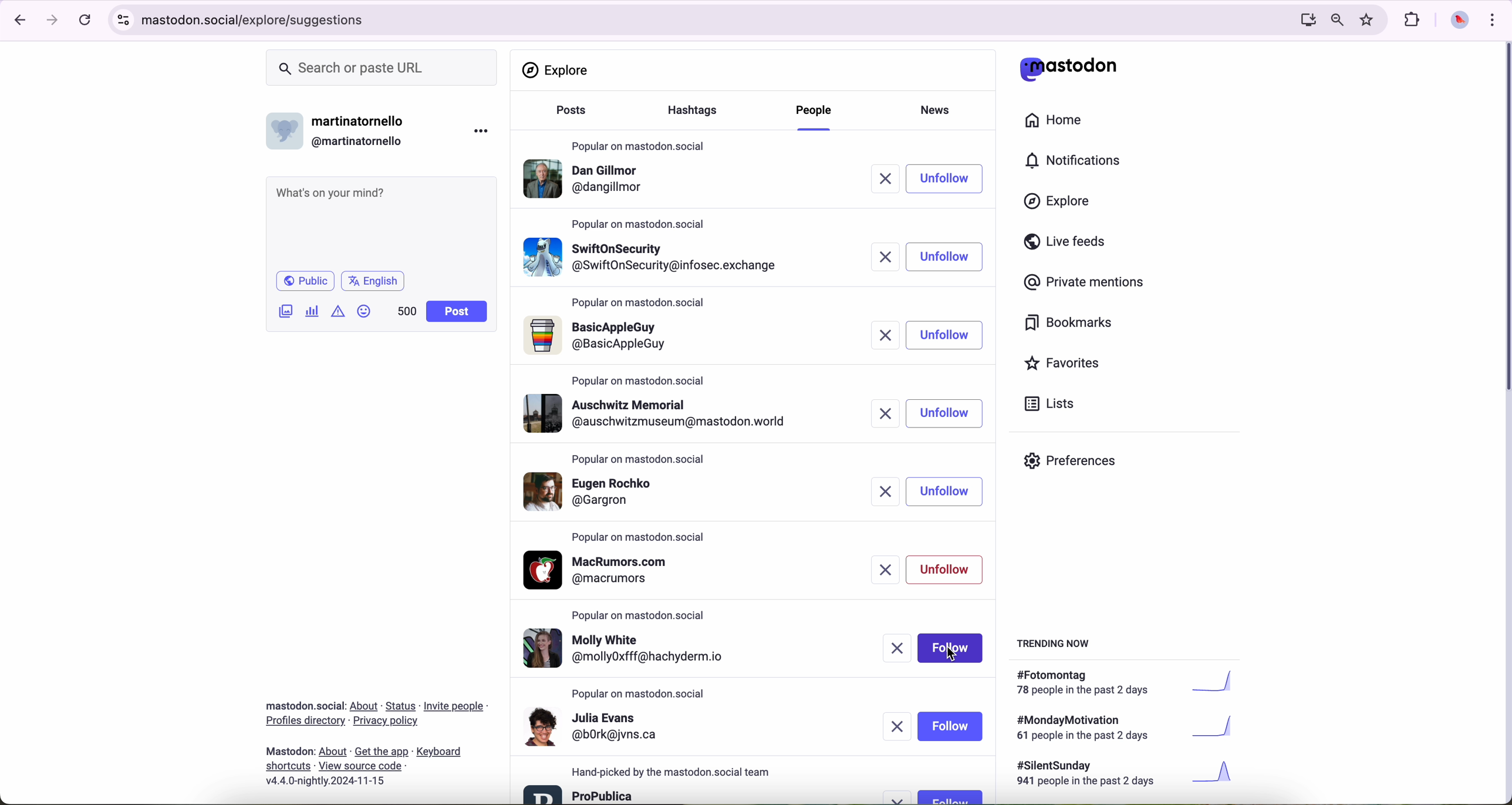 This screenshot has height=805, width=1512. Describe the element at coordinates (86, 21) in the screenshot. I see `refresh page` at that location.